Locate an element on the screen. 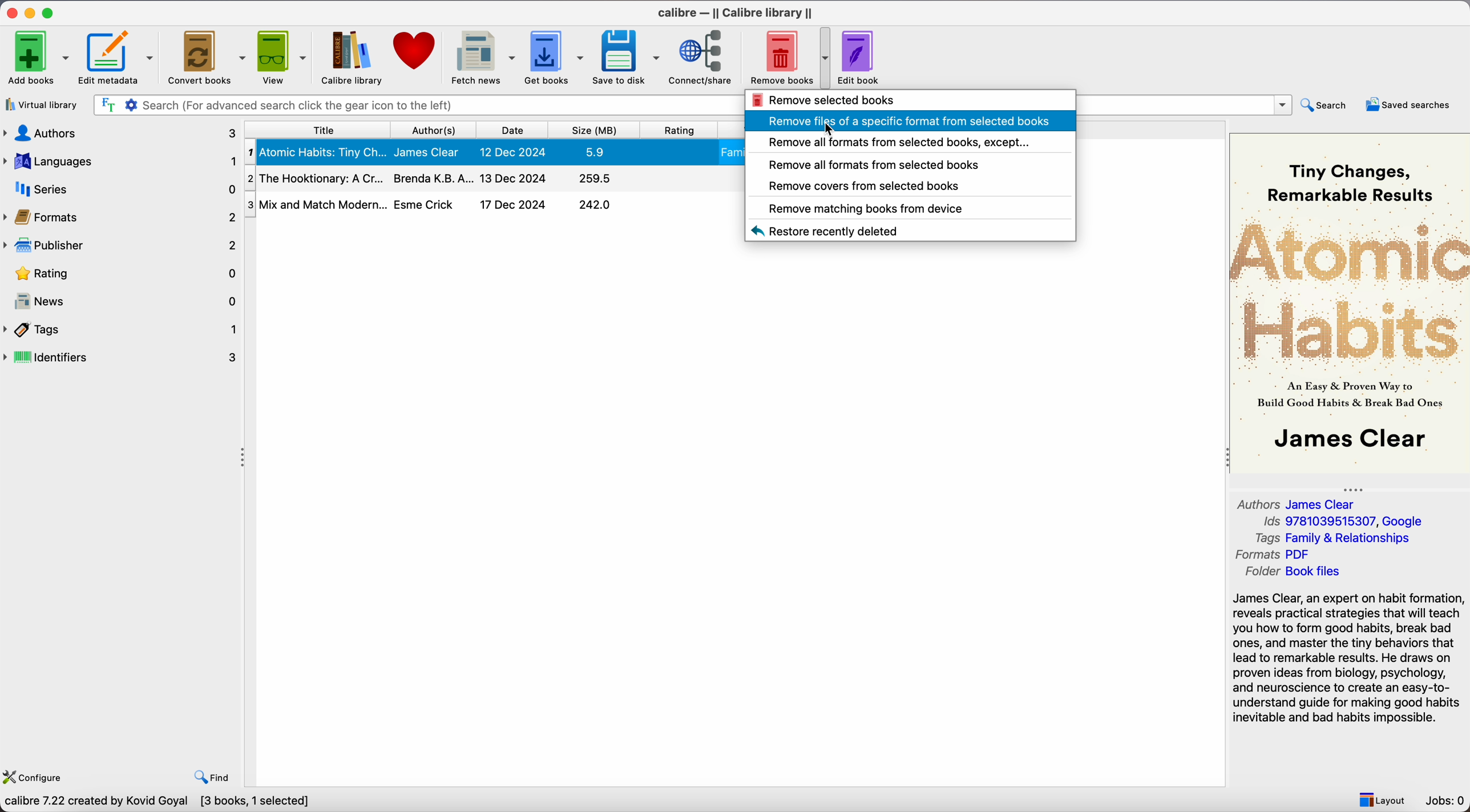 The image size is (1470, 812). author(s) is located at coordinates (435, 129).